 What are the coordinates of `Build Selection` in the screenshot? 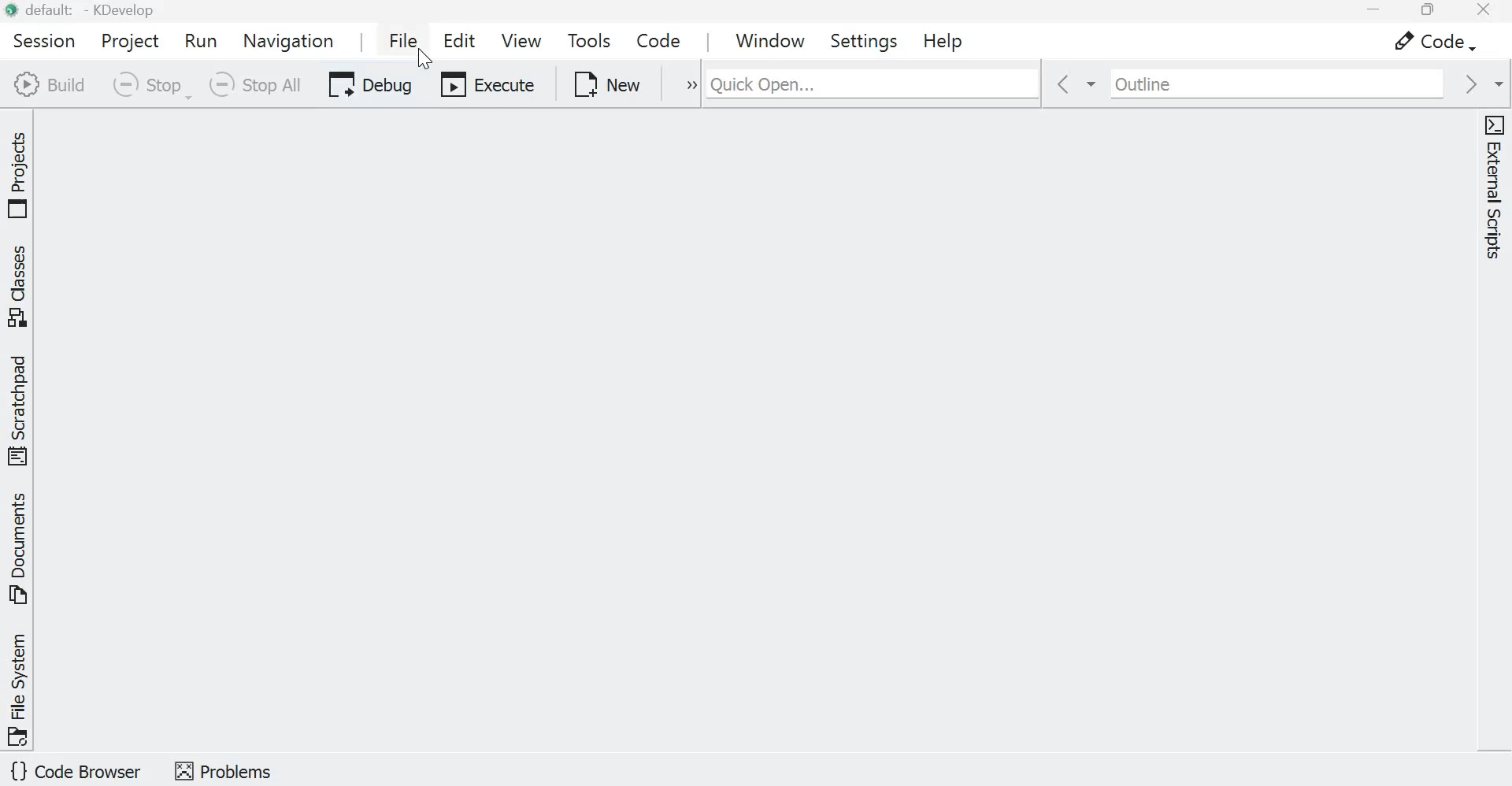 It's located at (49, 84).